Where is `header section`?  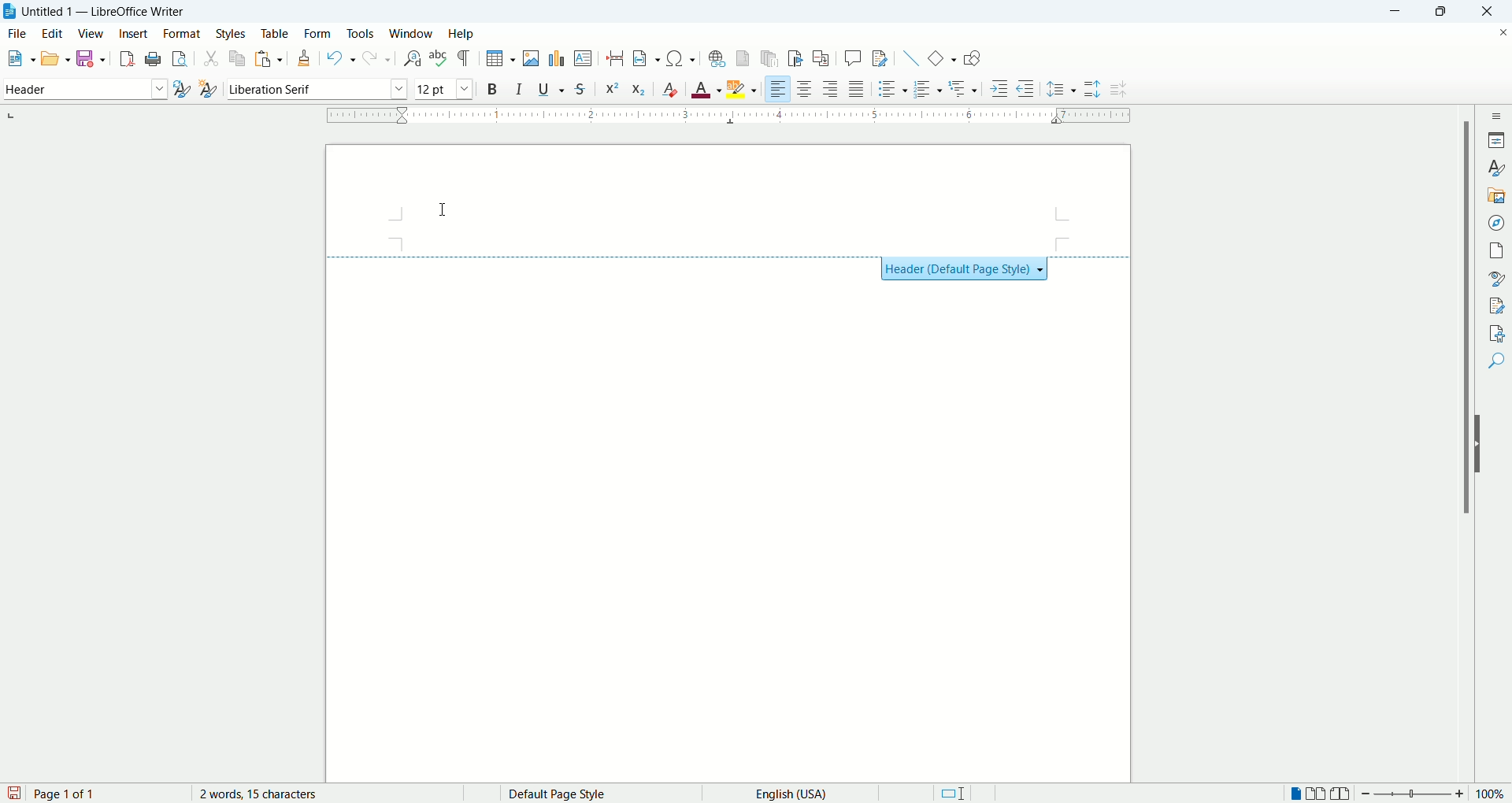 header section is located at coordinates (721, 228).